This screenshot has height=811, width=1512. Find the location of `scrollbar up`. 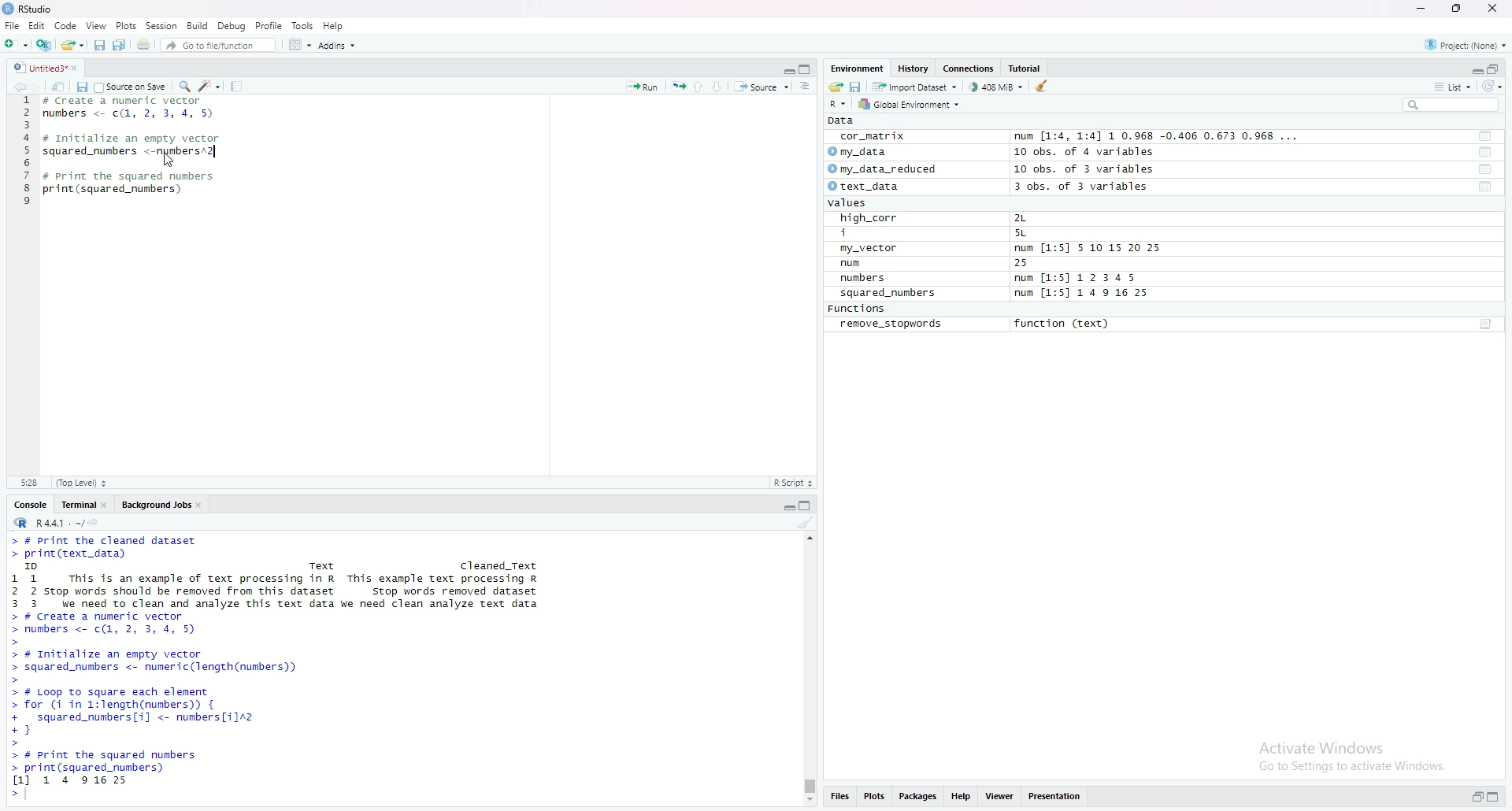

scrollbar up is located at coordinates (808, 536).